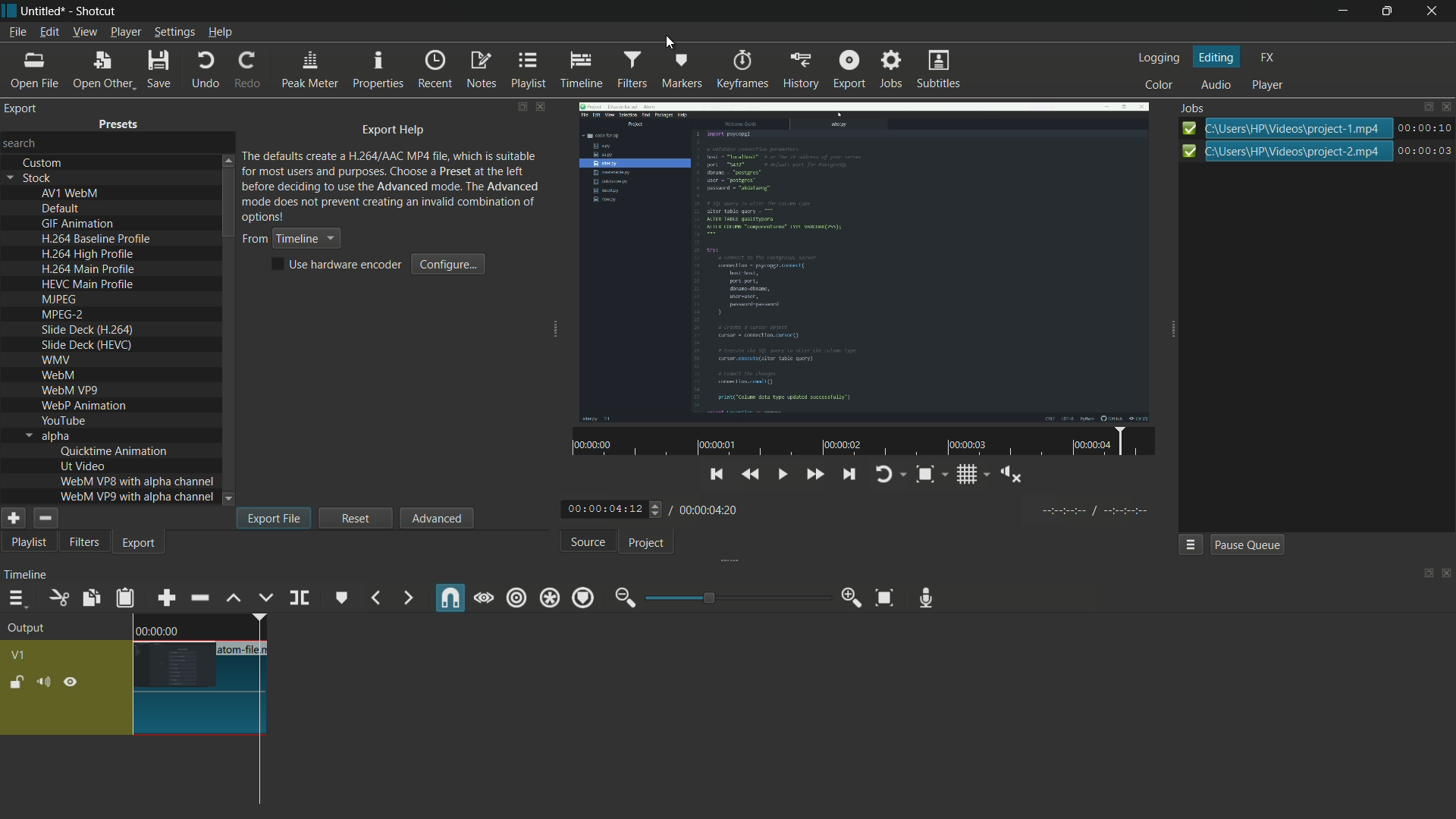 The width and height of the screenshot is (1456, 819). What do you see at coordinates (25, 577) in the screenshot?
I see `timeline` at bounding box center [25, 577].